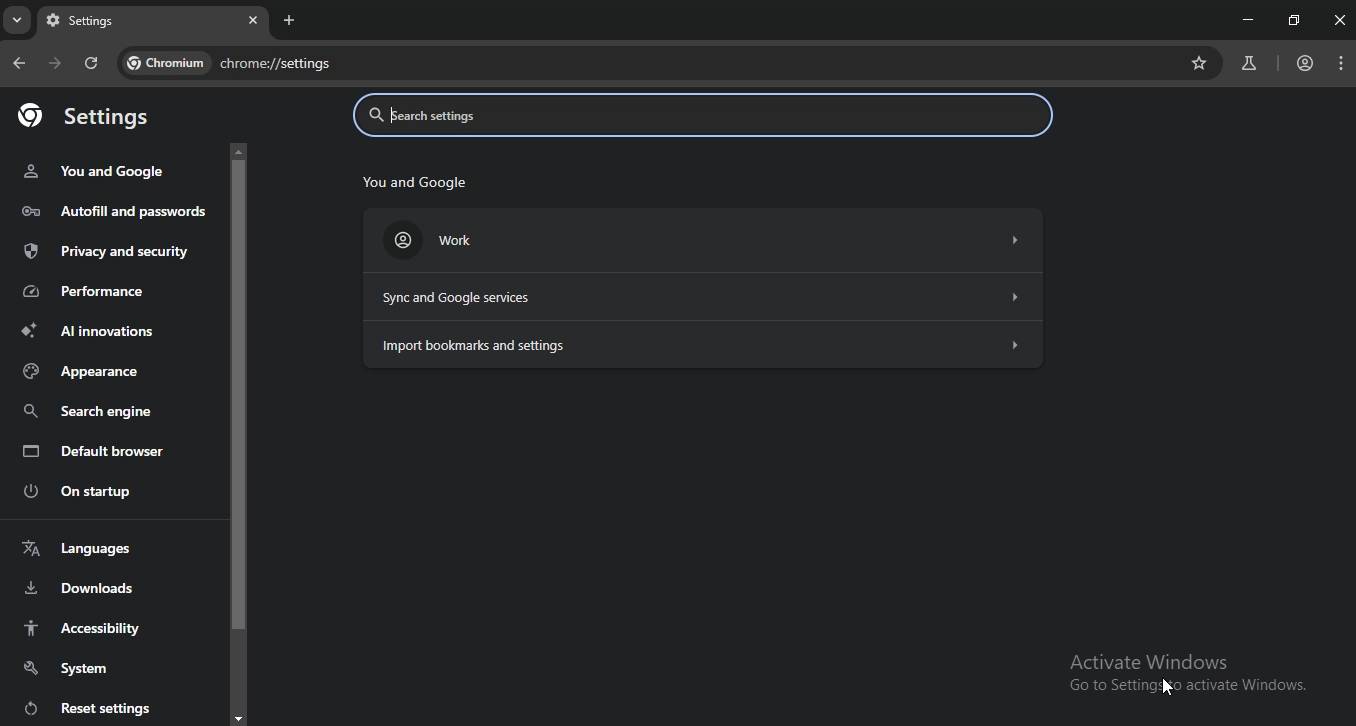  What do you see at coordinates (108, 211) in the screenshot?
I see `Autofill and passwor` at bounding box center [108, 211].